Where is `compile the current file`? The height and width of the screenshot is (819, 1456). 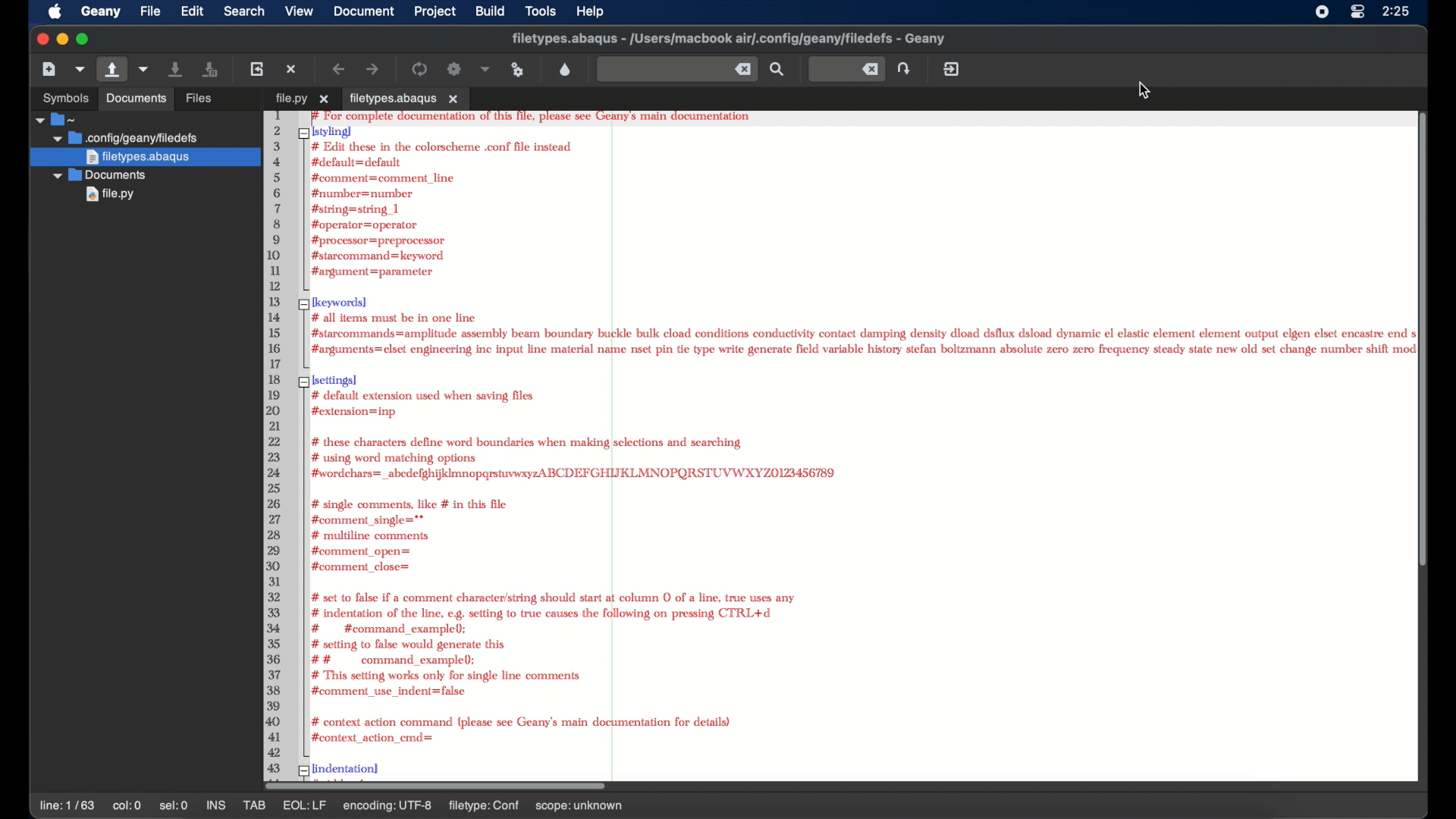 compile the current file is located at coordinates (422, 69).